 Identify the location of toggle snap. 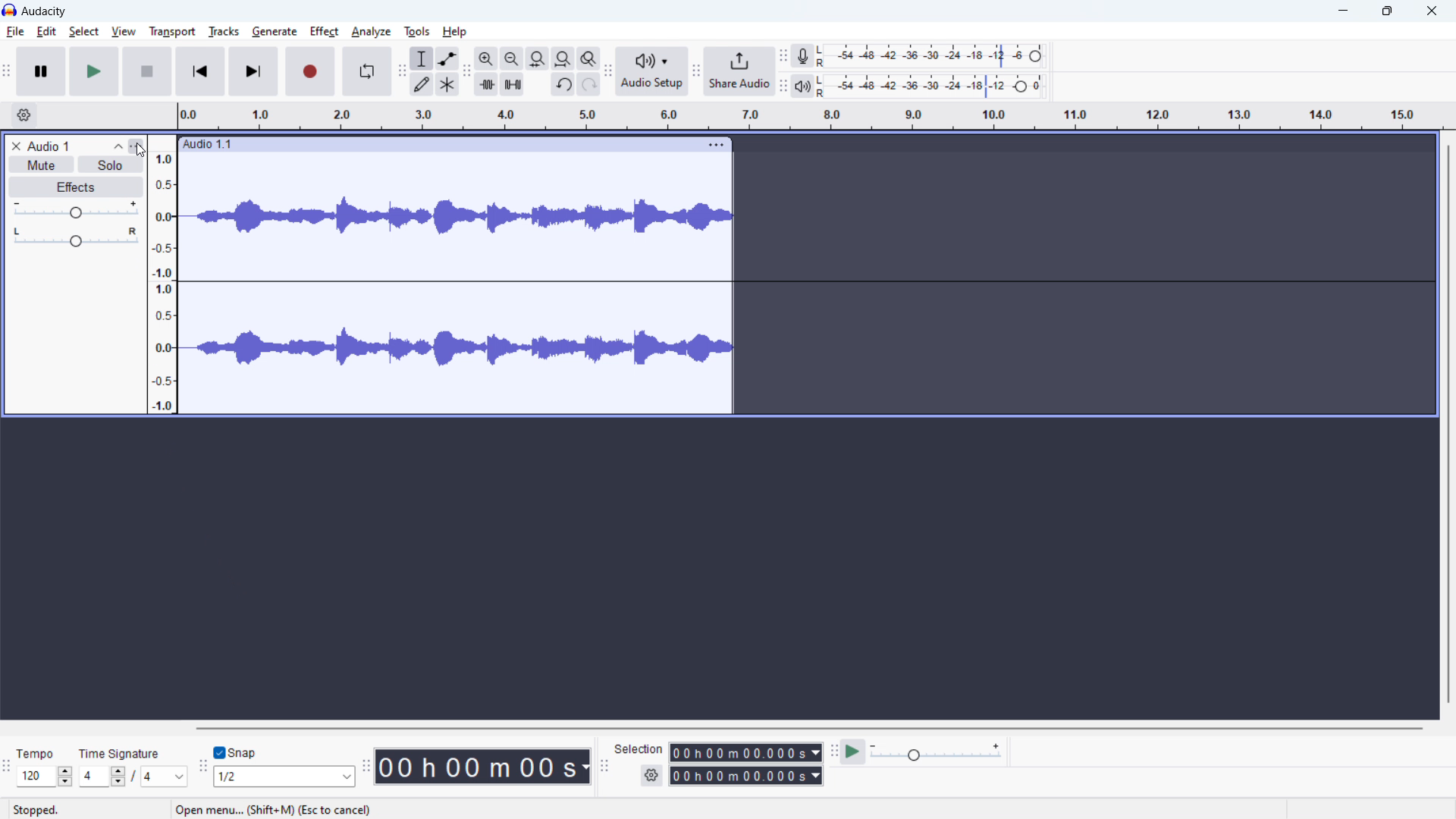
(236, 753).